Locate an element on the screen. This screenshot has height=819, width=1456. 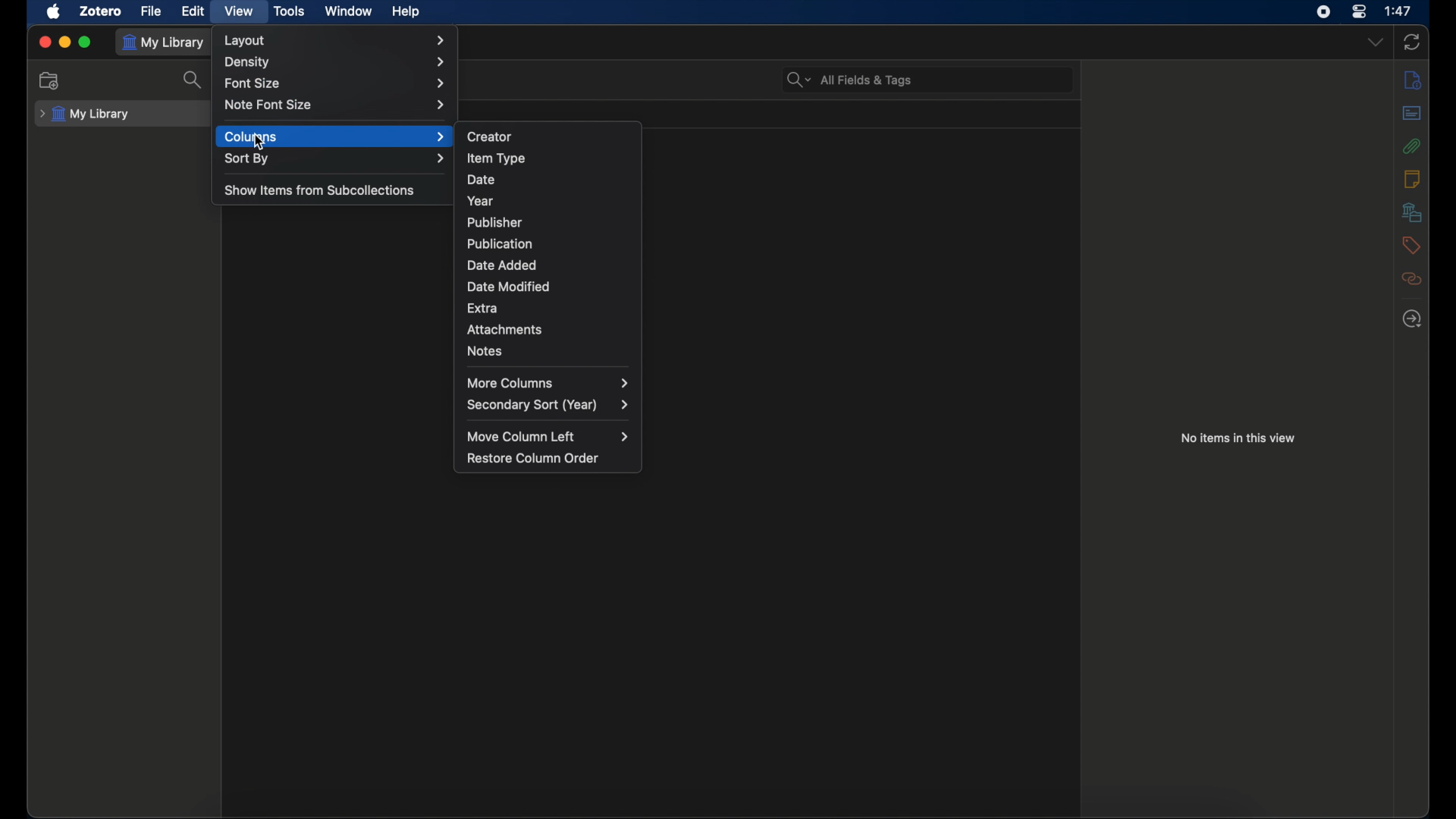
sort by is located at coordinates (337, 158).